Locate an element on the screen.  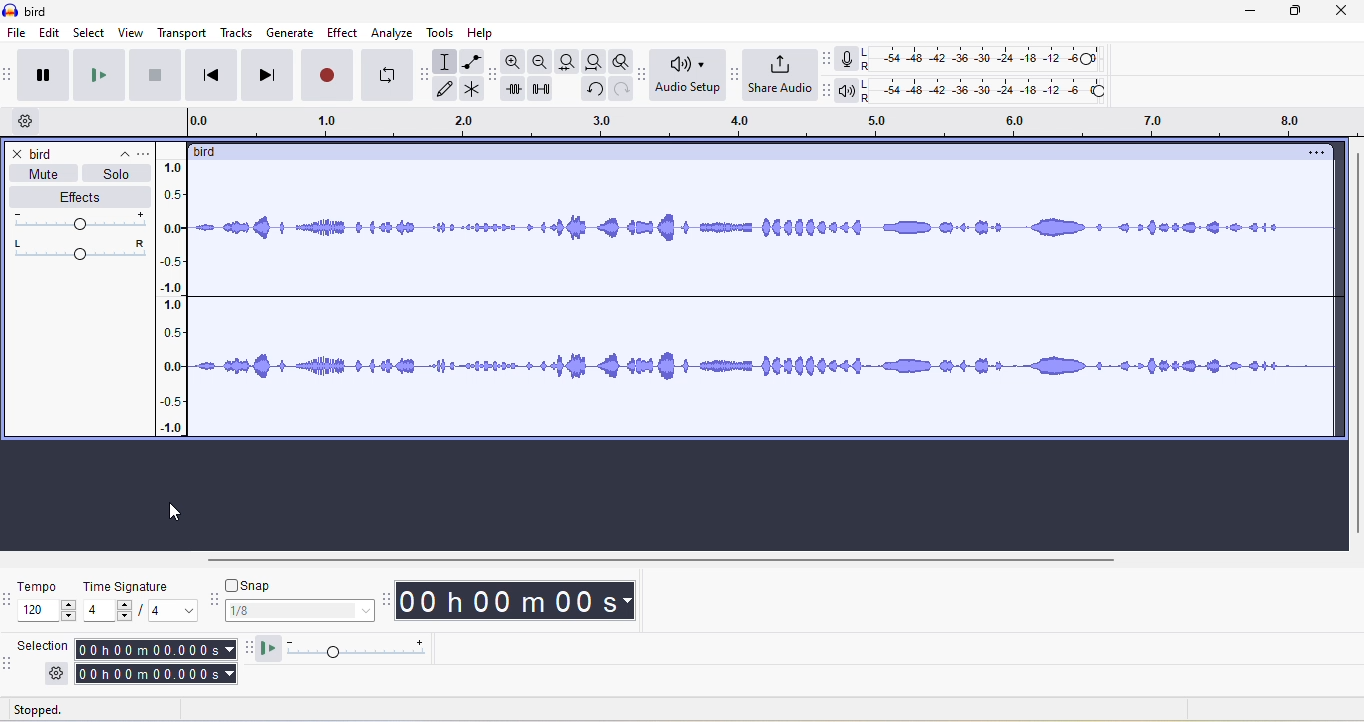
skip to start is located at coordinates (214, 75).